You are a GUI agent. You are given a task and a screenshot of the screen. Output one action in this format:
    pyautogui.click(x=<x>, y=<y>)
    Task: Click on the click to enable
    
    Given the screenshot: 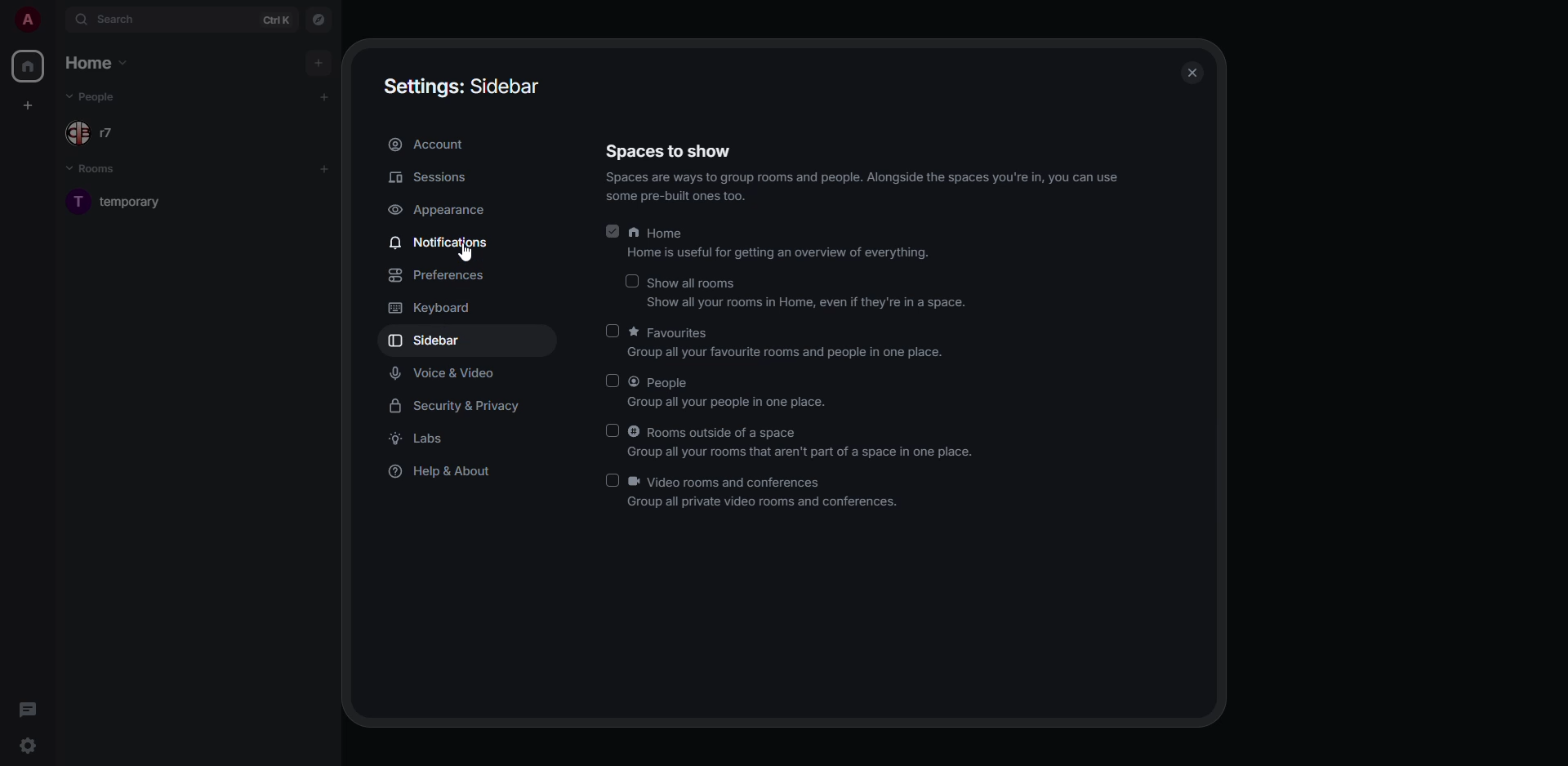 What is the action you would take?
    pyautogui.click(x=612, y=430)
    